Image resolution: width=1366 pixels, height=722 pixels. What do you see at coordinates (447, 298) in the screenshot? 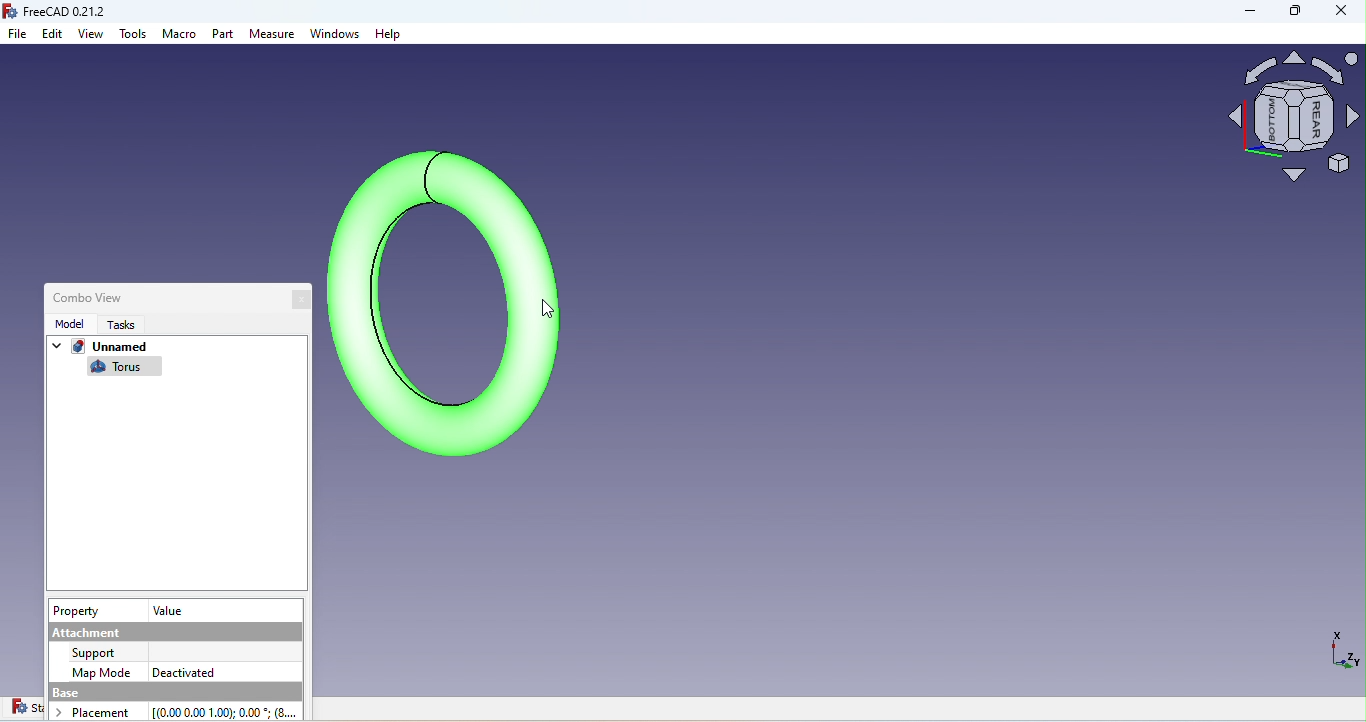
I see `Object` at bounding box center [447, 298].